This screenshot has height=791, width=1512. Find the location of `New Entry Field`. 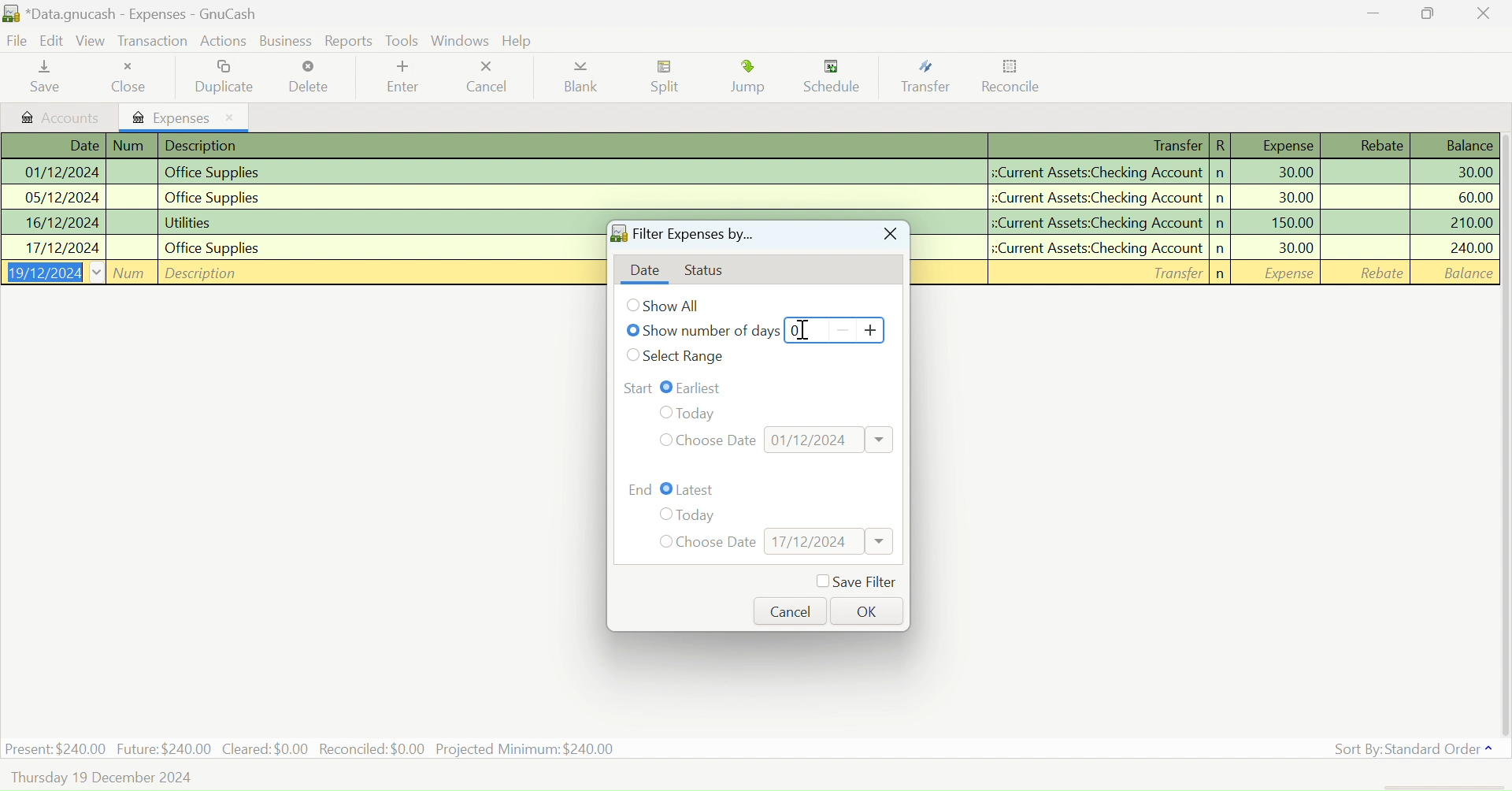

New Entry Field is located at coordinates (1214, 272).